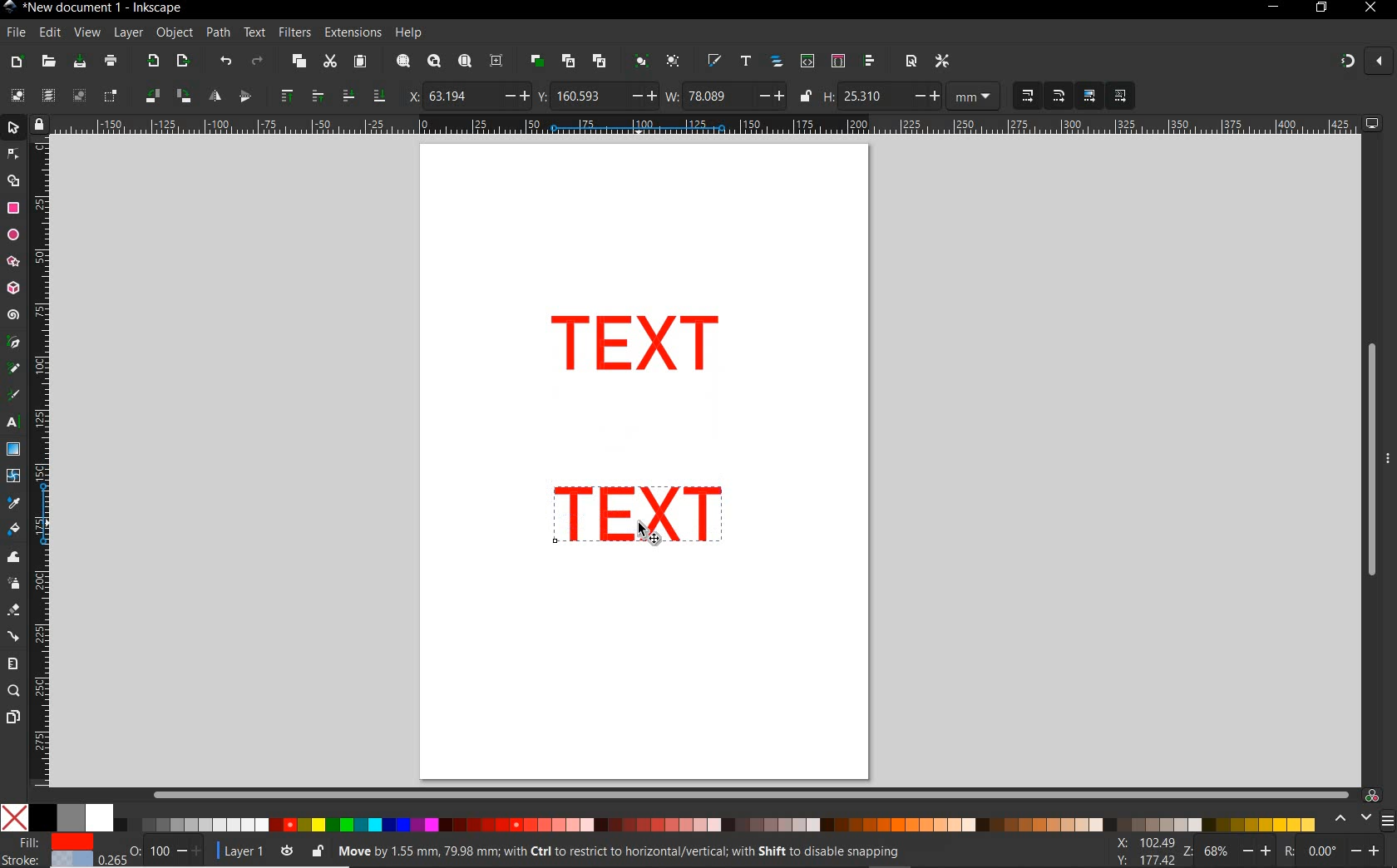 The height and width of the screenshot is (868, 1397). Describe the element at coordinates (746, 62) in the screenshot. I see `open text` at that location.